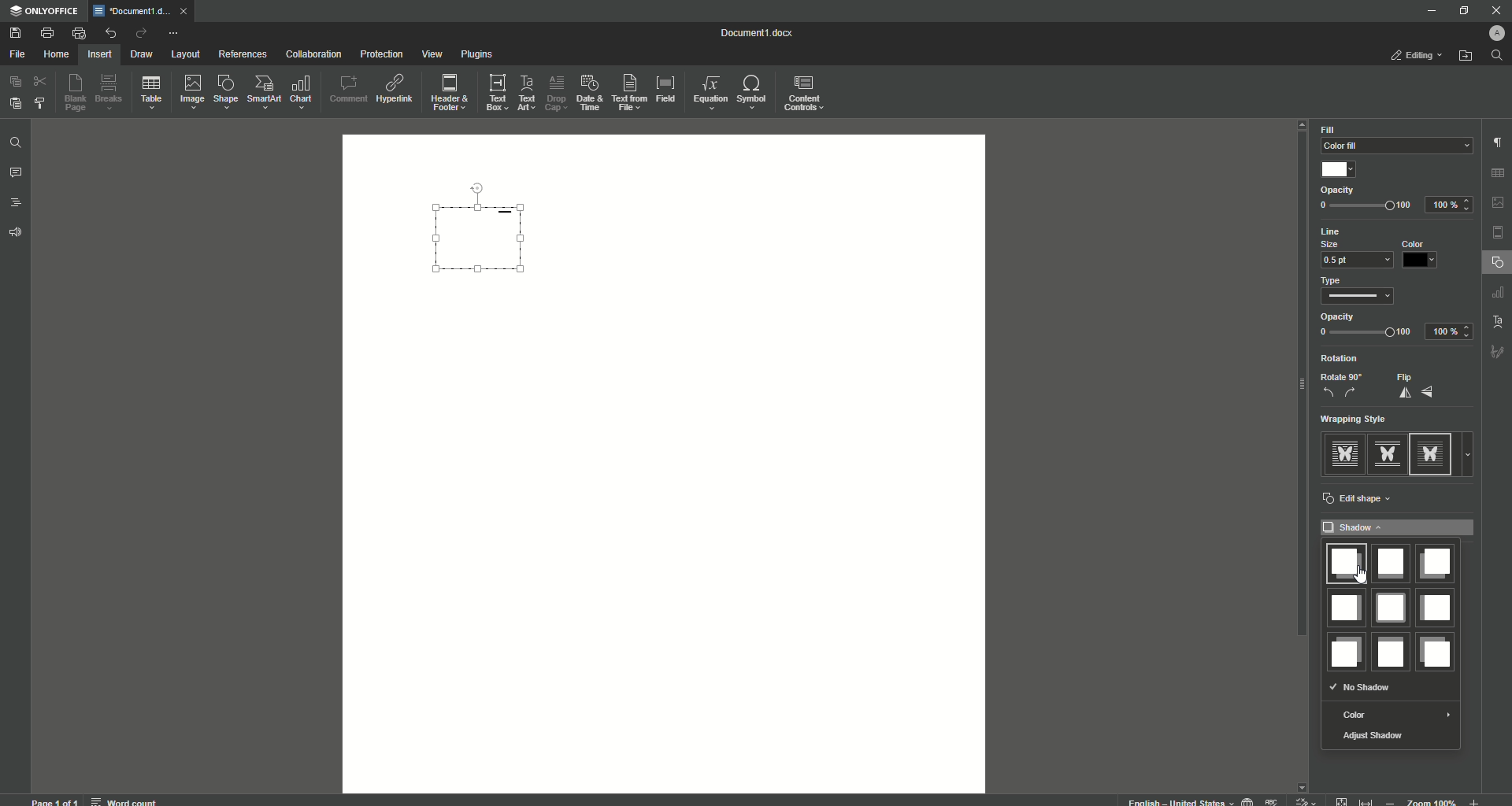 The image size is (1512, 806). Describe the element at coordinates (348, 89) in the screenshot. I see `Comment` at that location.